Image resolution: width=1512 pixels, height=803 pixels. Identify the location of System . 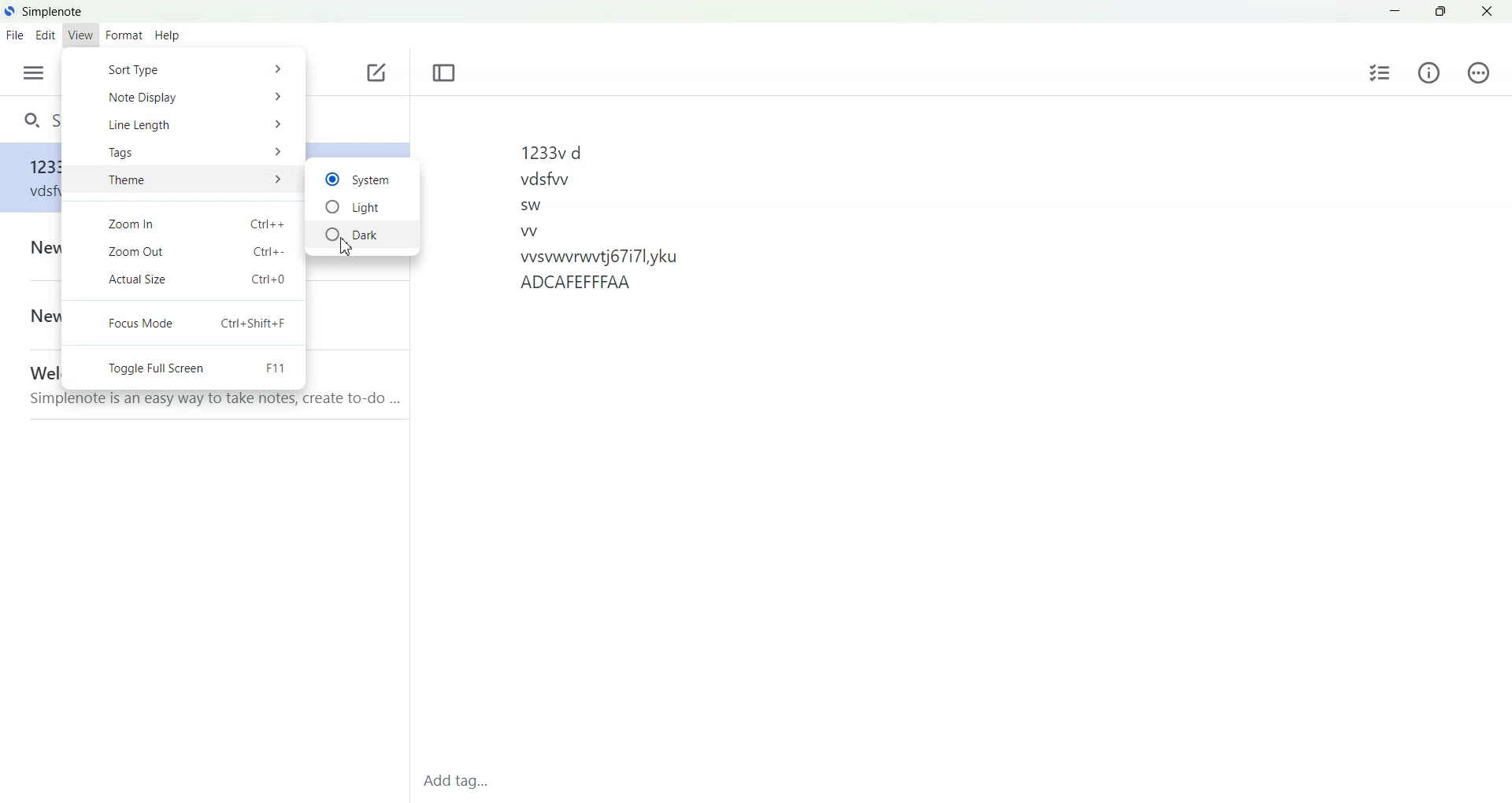
(359, 179).